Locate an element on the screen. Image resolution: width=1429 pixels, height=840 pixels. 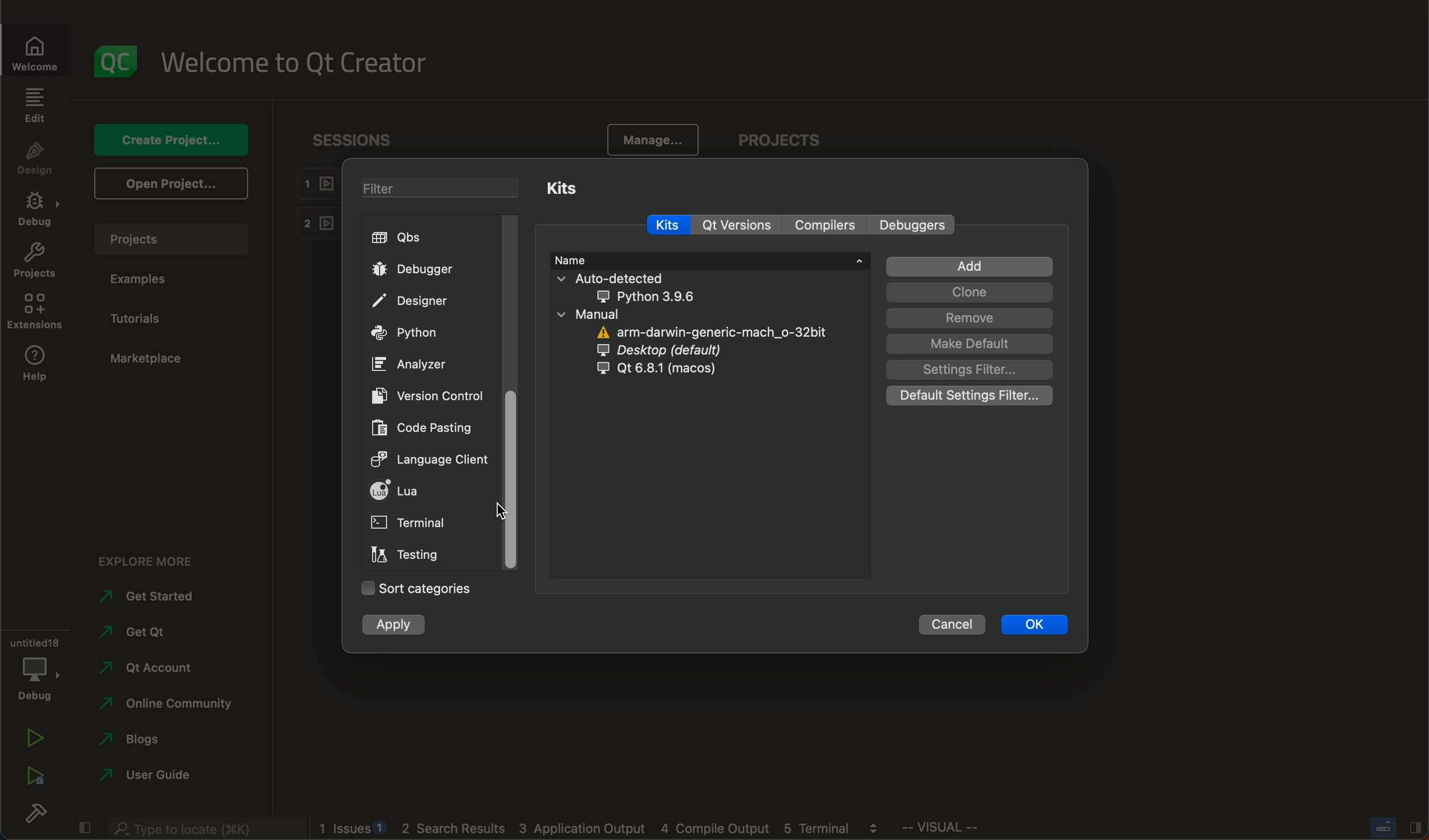
marketplace is located at coordinates (152, 360).